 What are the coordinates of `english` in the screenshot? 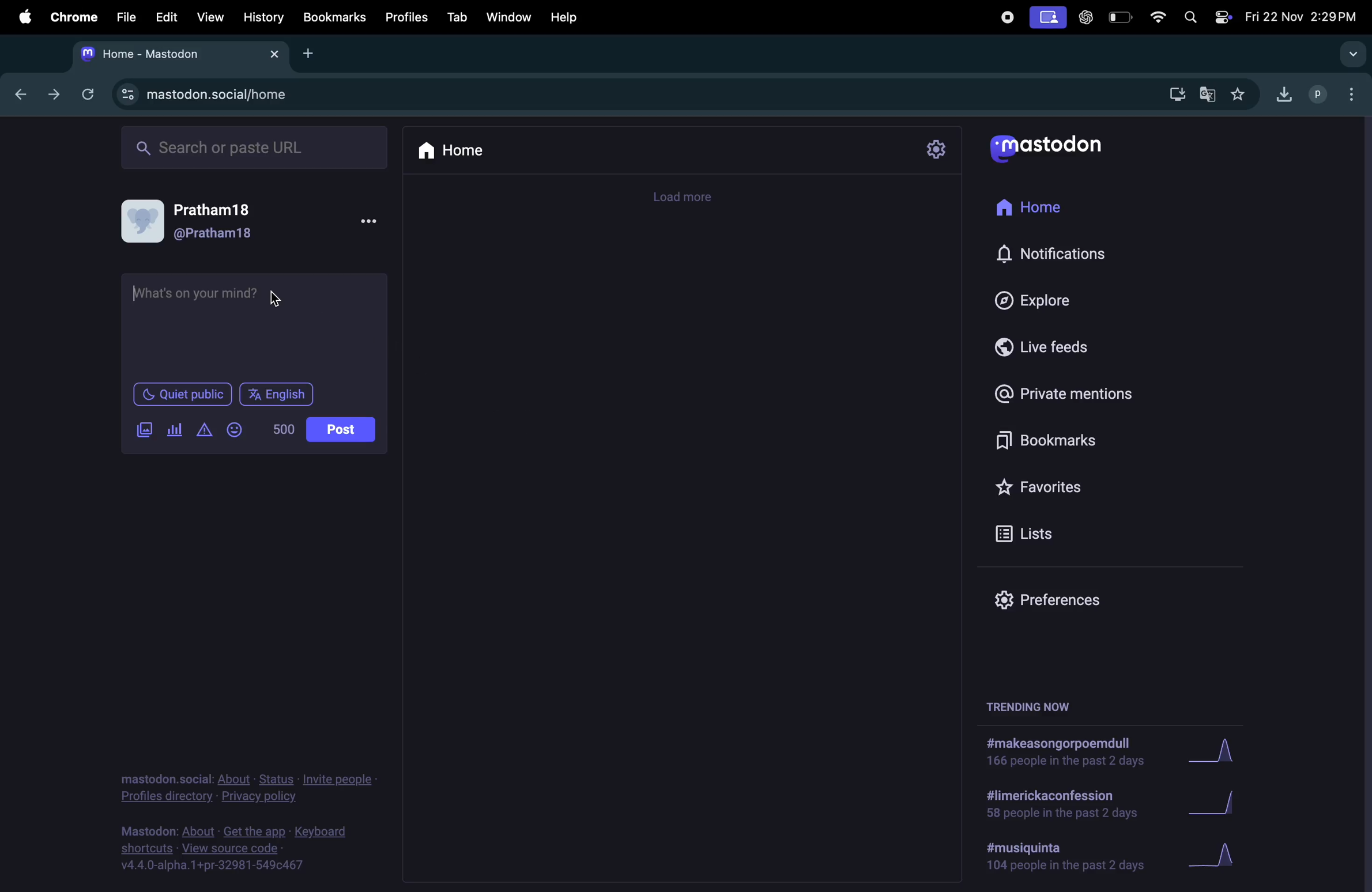 It's located at (277, 394).